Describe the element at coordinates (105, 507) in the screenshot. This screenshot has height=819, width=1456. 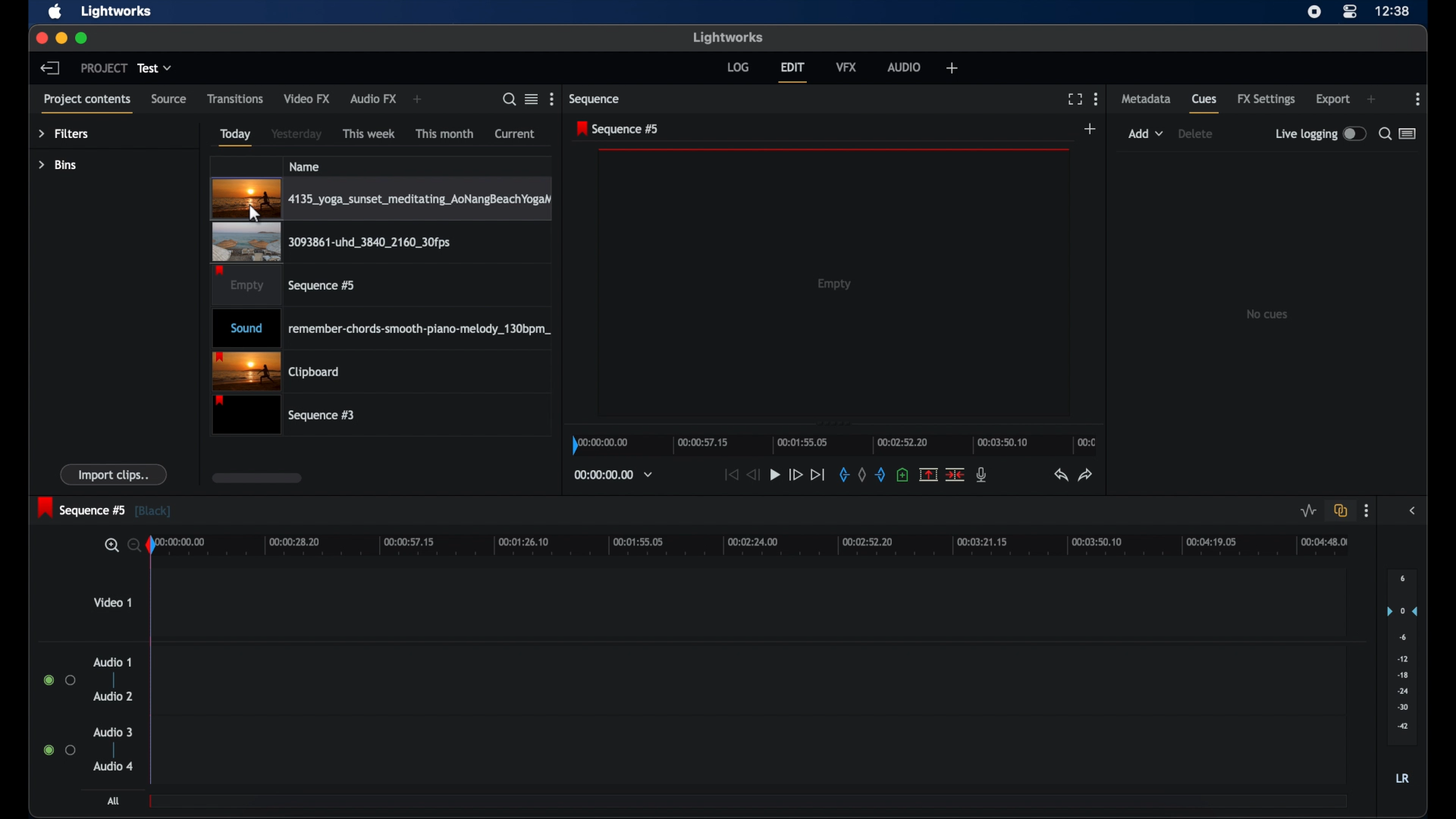
I see `sequence` at that location.